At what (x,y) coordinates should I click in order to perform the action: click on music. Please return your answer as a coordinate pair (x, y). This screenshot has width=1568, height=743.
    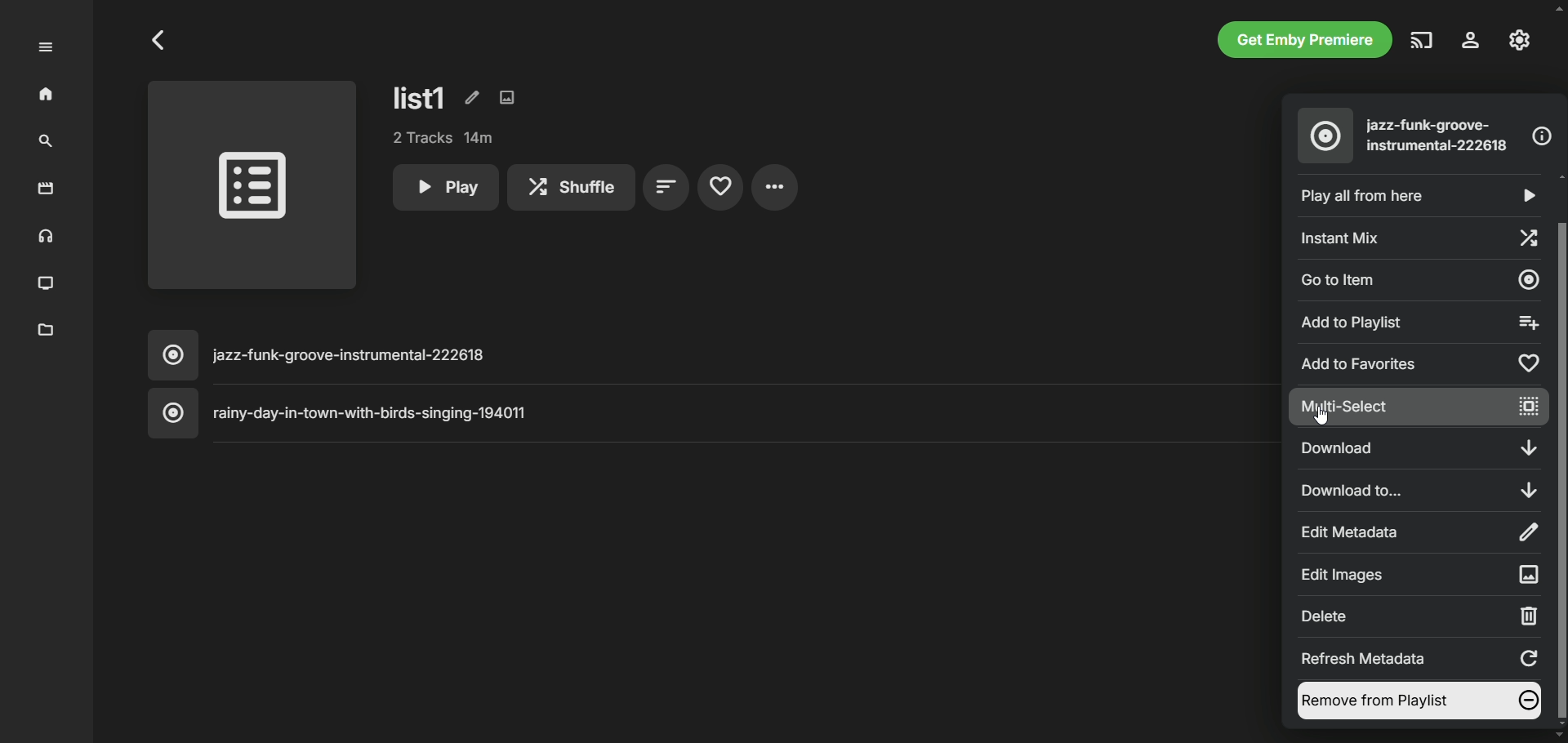
    Looking at the image, I should click on (43, 238).